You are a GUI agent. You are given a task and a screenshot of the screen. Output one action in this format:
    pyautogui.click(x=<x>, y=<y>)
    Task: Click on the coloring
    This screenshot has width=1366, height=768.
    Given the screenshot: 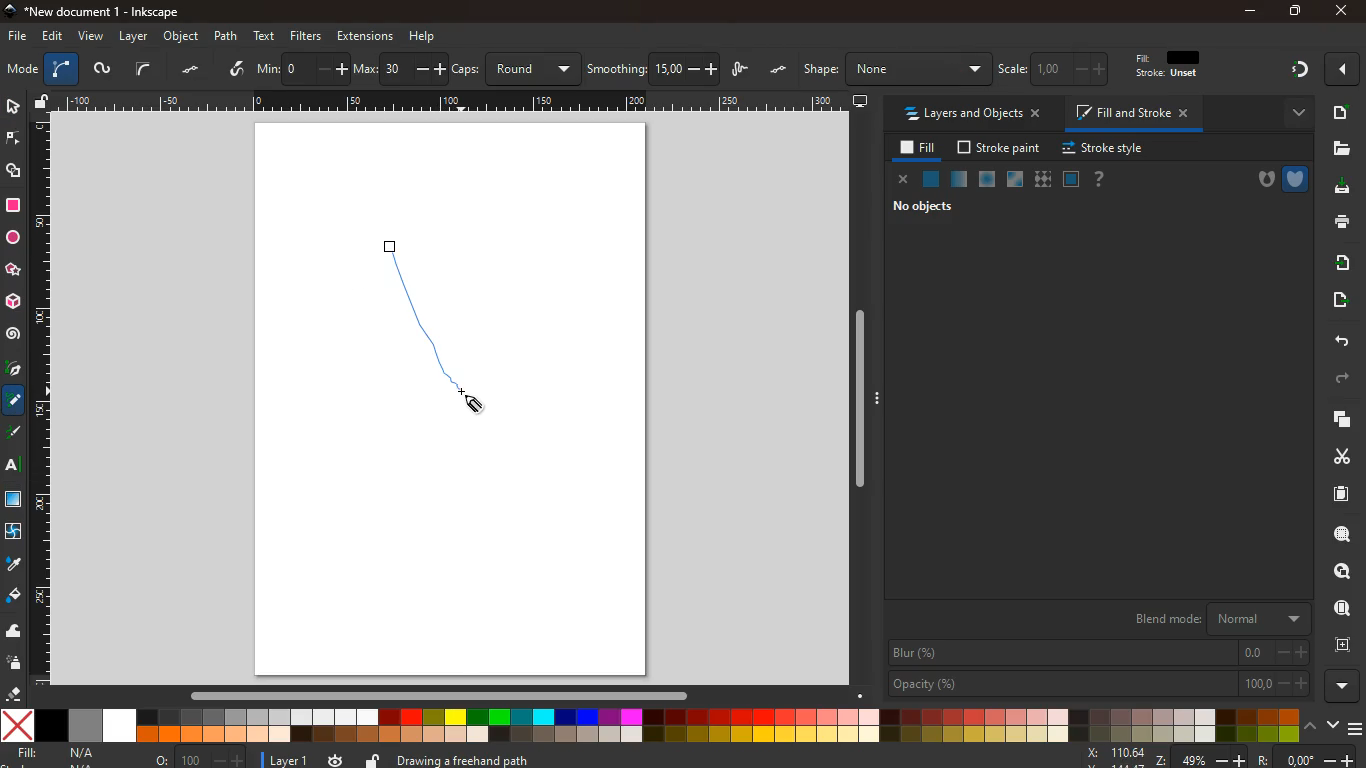 What is the action you would take?
    pyautogui.click(x=14, y=401)
    